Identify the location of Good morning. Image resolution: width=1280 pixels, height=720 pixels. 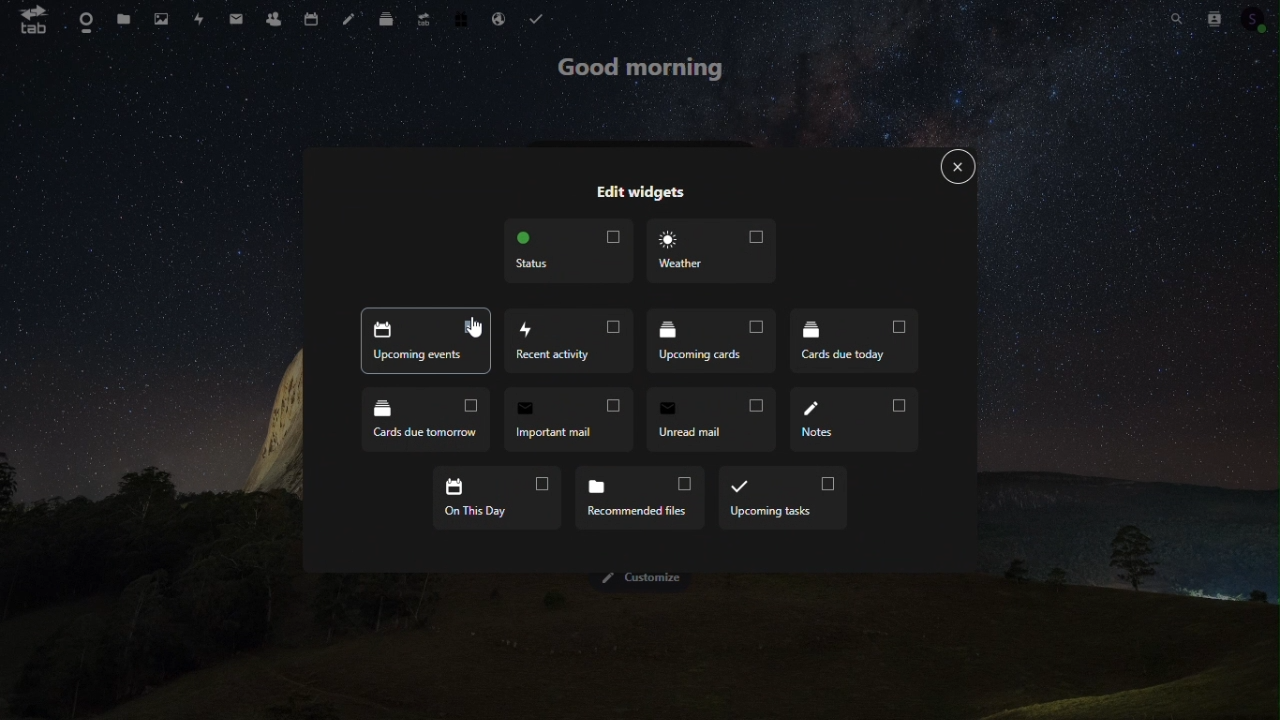
(639, 68).